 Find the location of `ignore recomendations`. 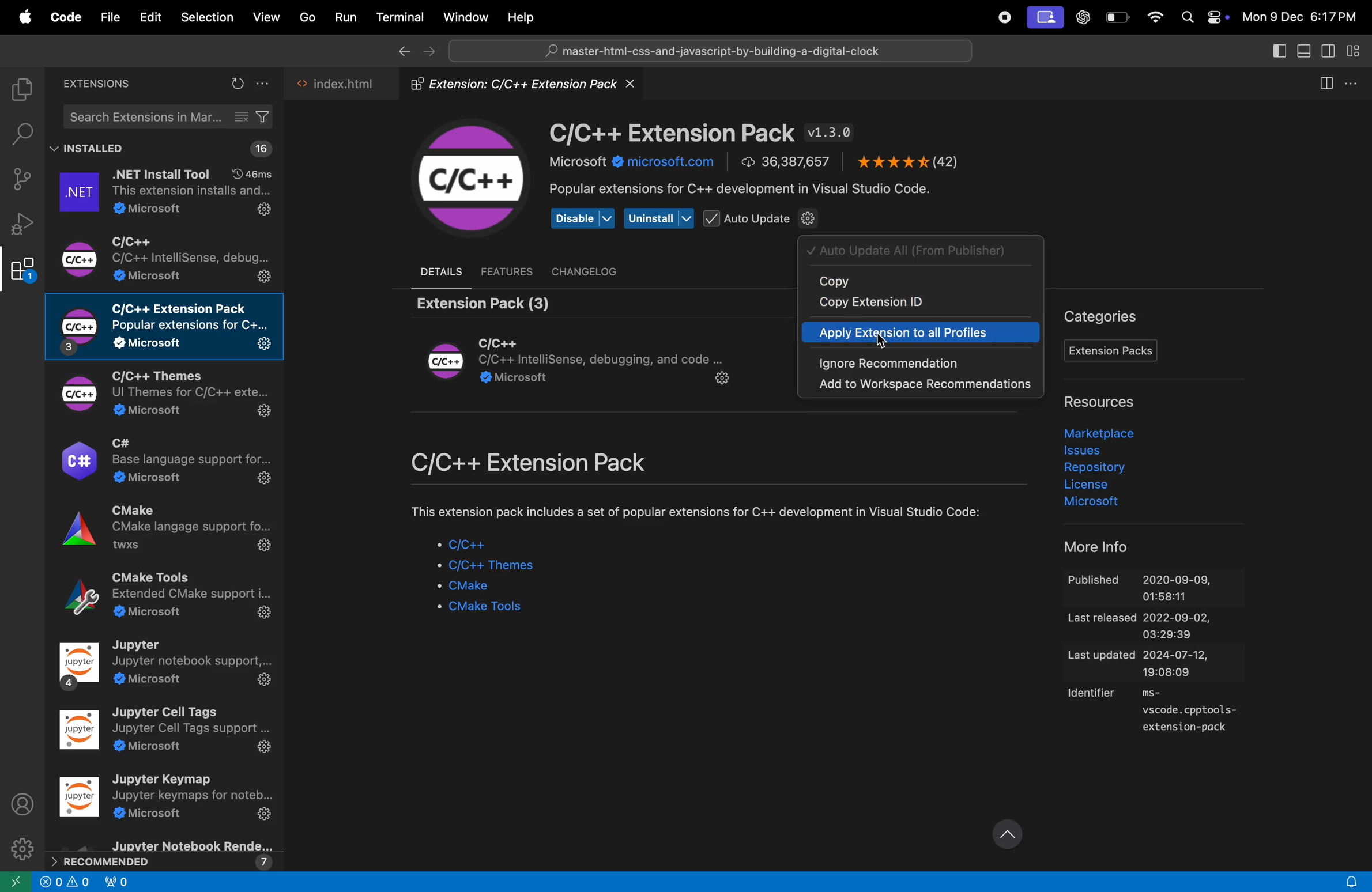

ignore recomendations is located at coordinates (914, 362).